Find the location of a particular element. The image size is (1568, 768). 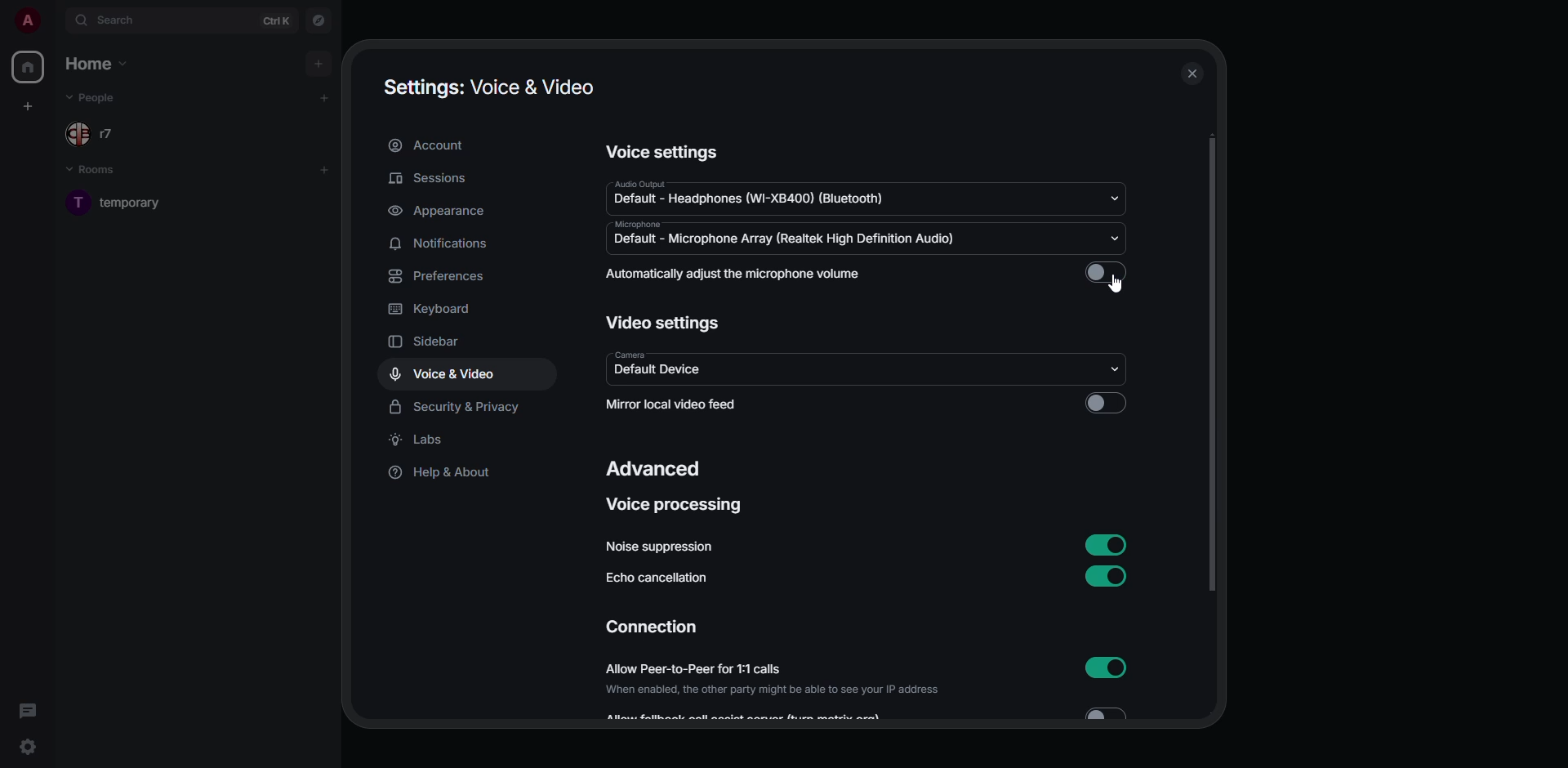

Default - Microphone Array (Realtek High Definition Audio is located at coordinates (789, 241).